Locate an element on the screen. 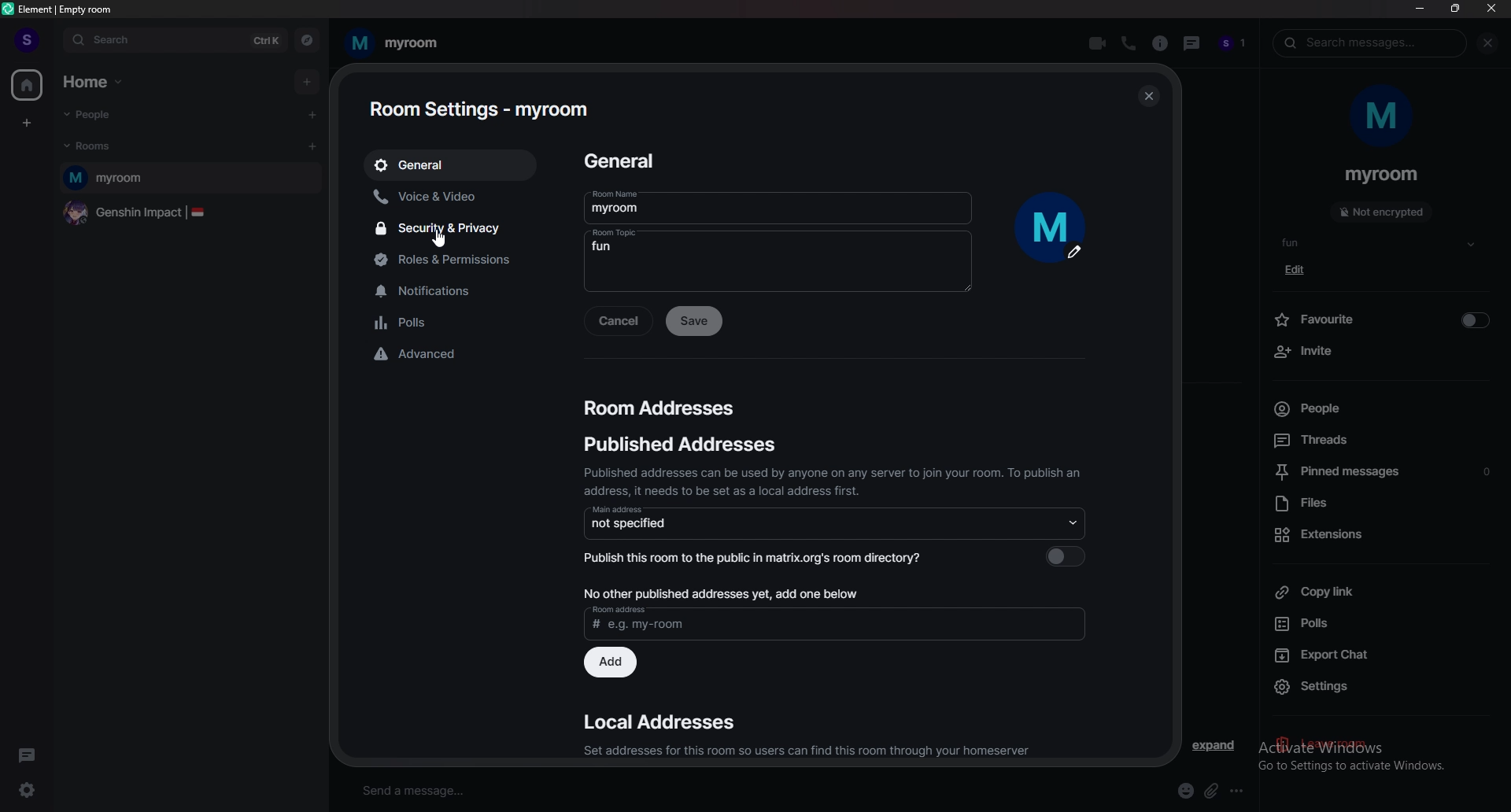  Published addresses can be used by anyone on any server to join your room. To publish an address, it needs to be set as a local address first. is located at coordinates (831, 481).